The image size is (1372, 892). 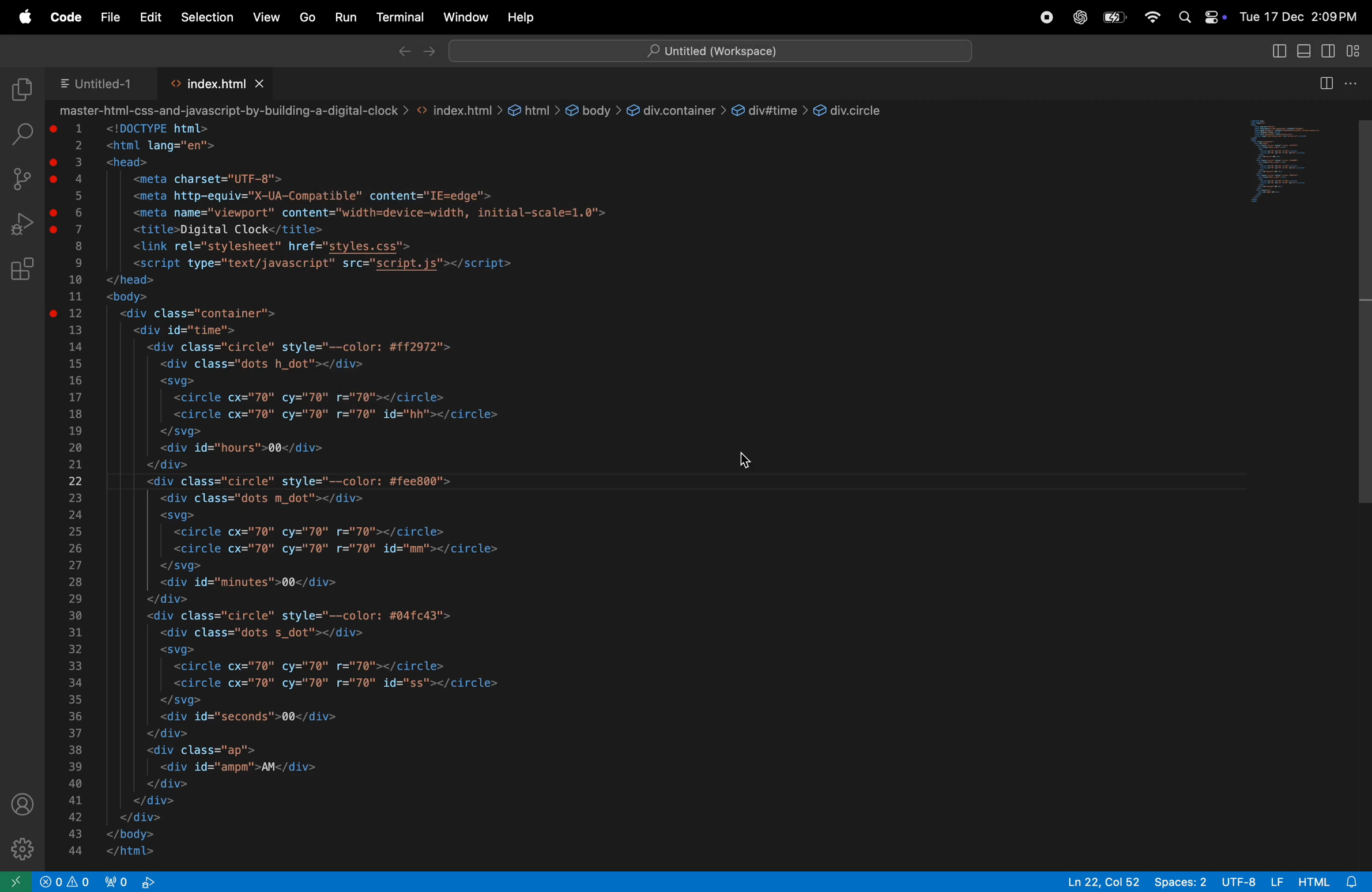 I want to click on cursor, so click(x=1363, y=485).